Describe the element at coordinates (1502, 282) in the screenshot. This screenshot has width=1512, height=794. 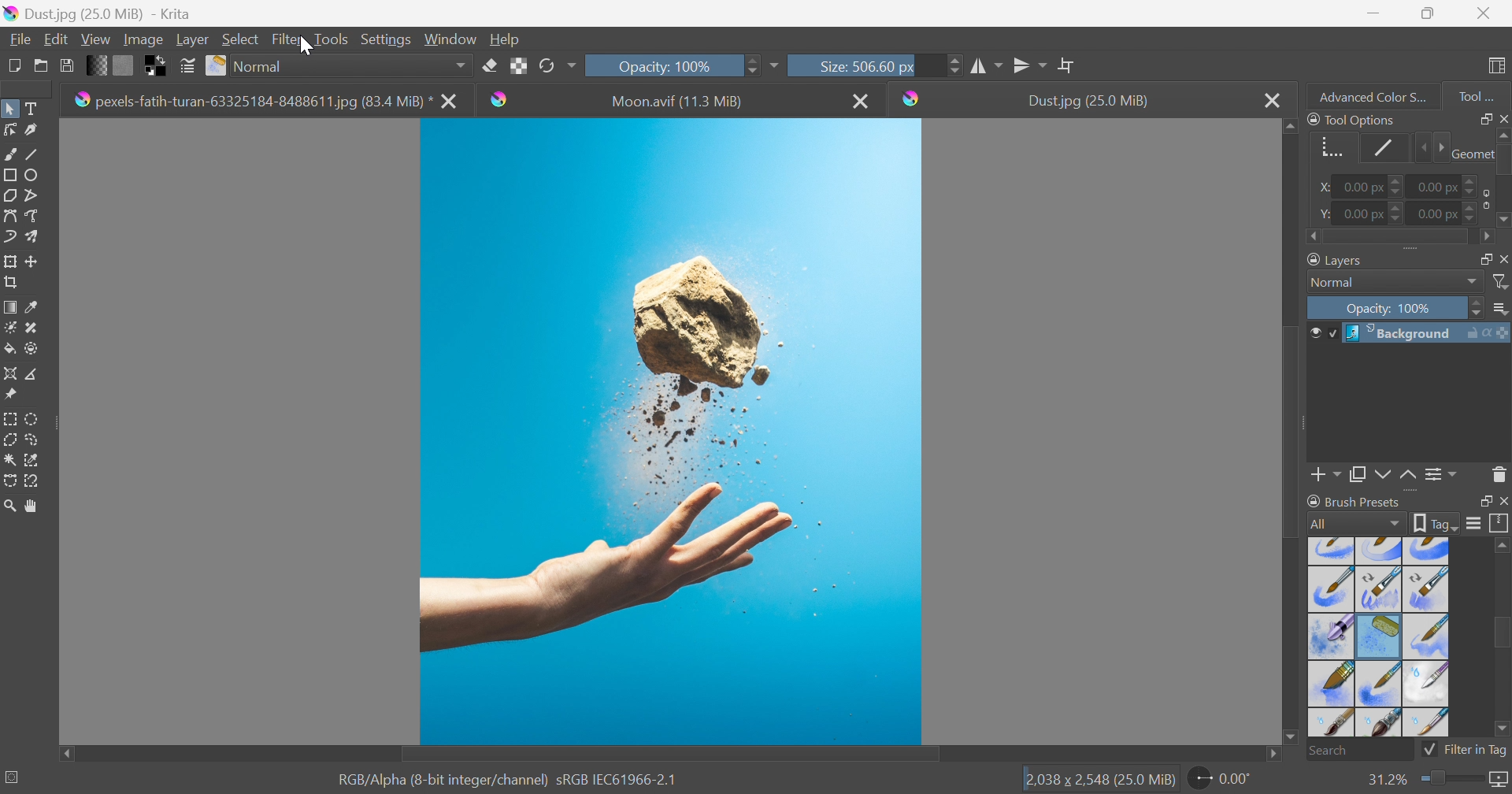
I see `Filter` at that location.